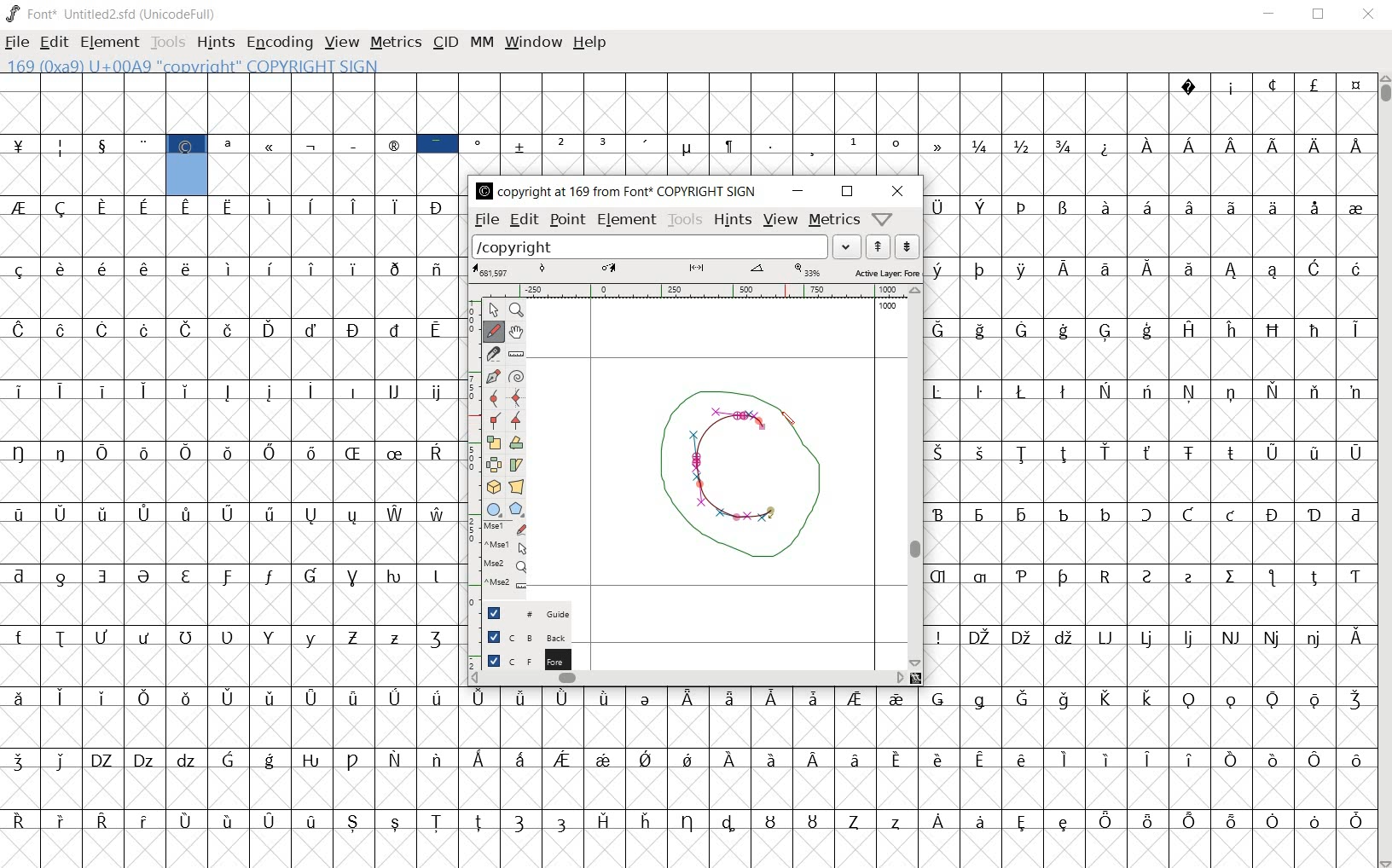  What do you see at coordinates (395, 42) in the screenshot?
I see `metrics` at bounding box center [395, 42].